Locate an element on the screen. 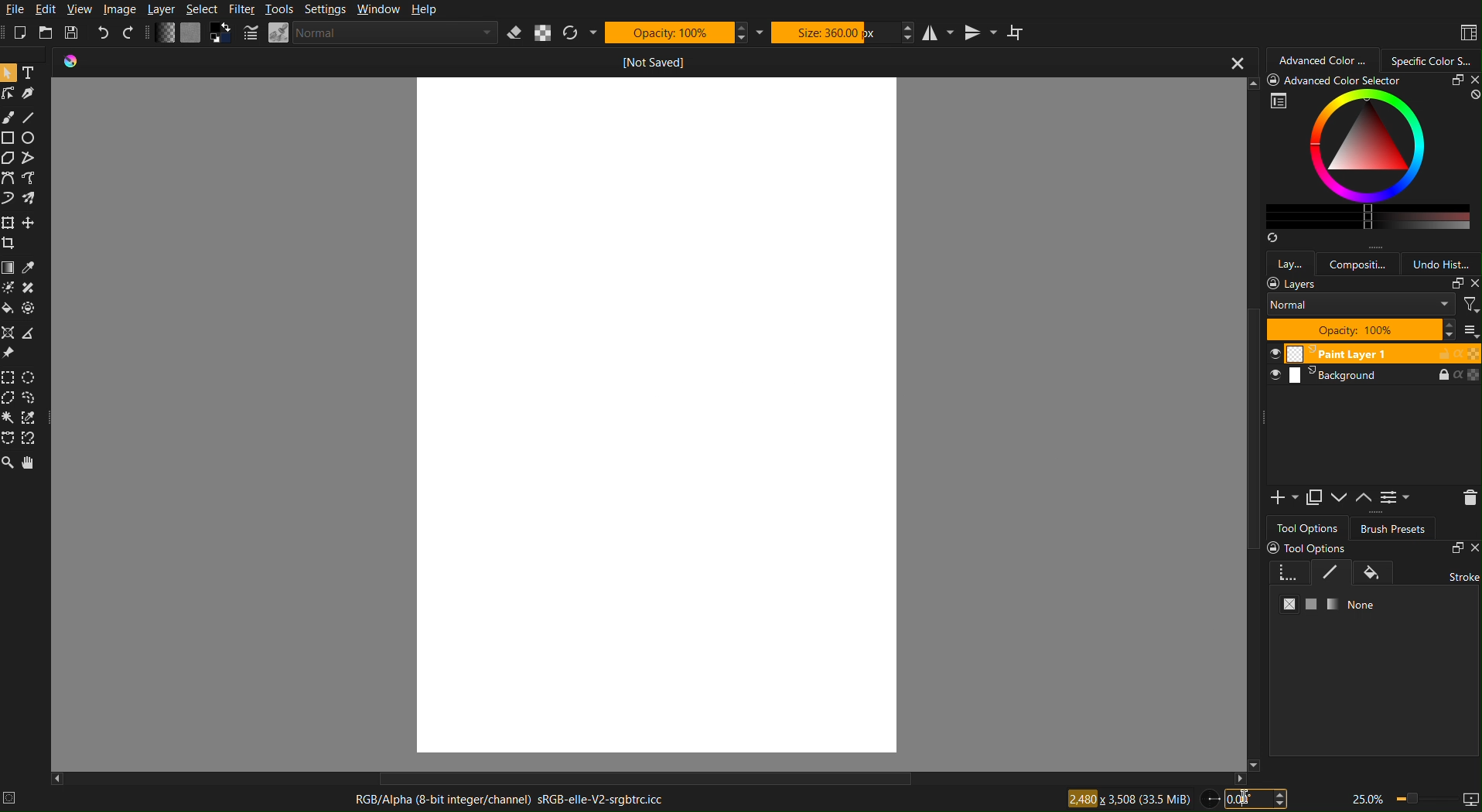 This screenshot has height=812, width=1482. Elliptical Selection Tool is located at coordinates (29, 378).